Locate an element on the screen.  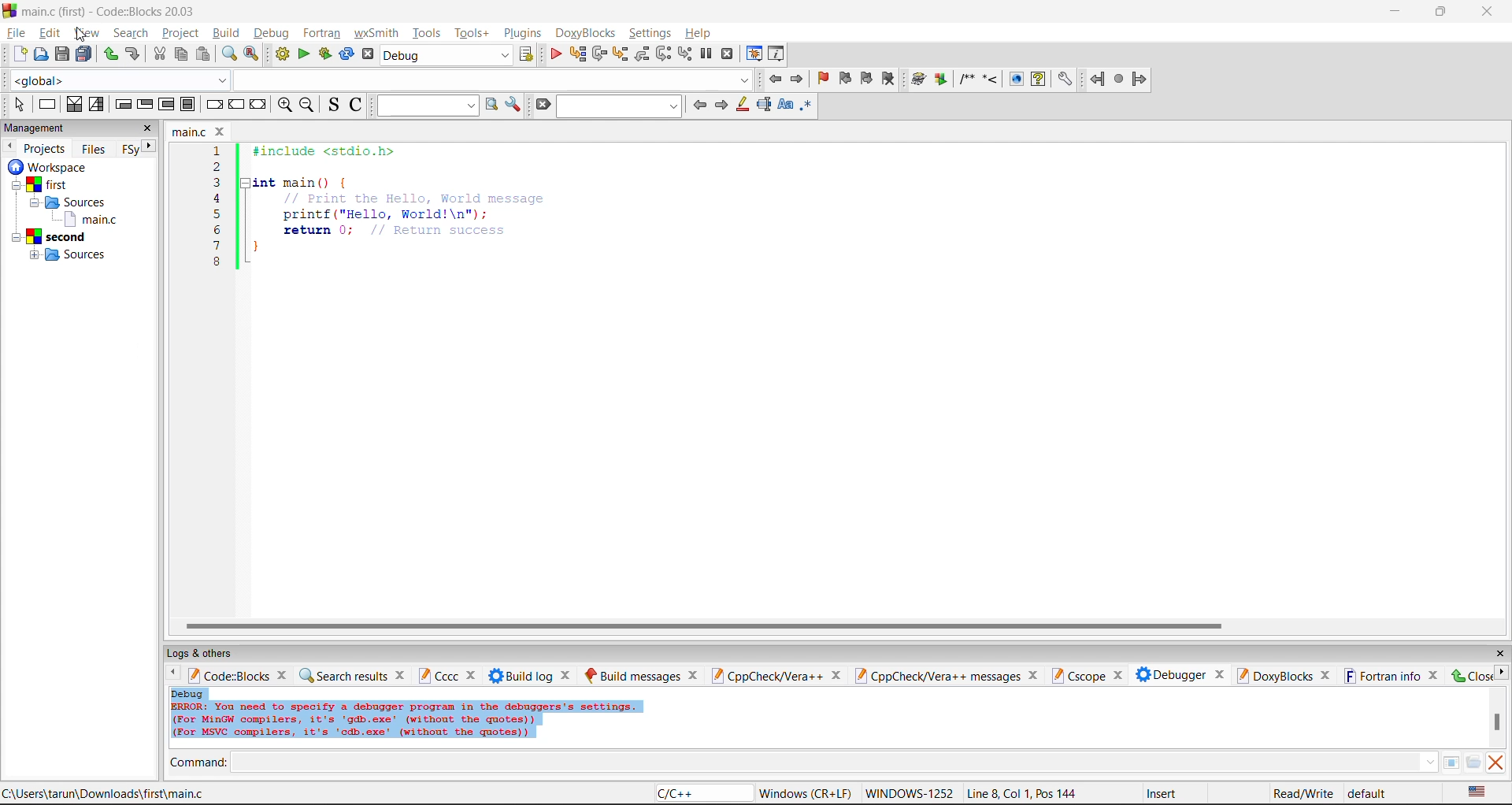
close is located at coordinates (1490, 14).